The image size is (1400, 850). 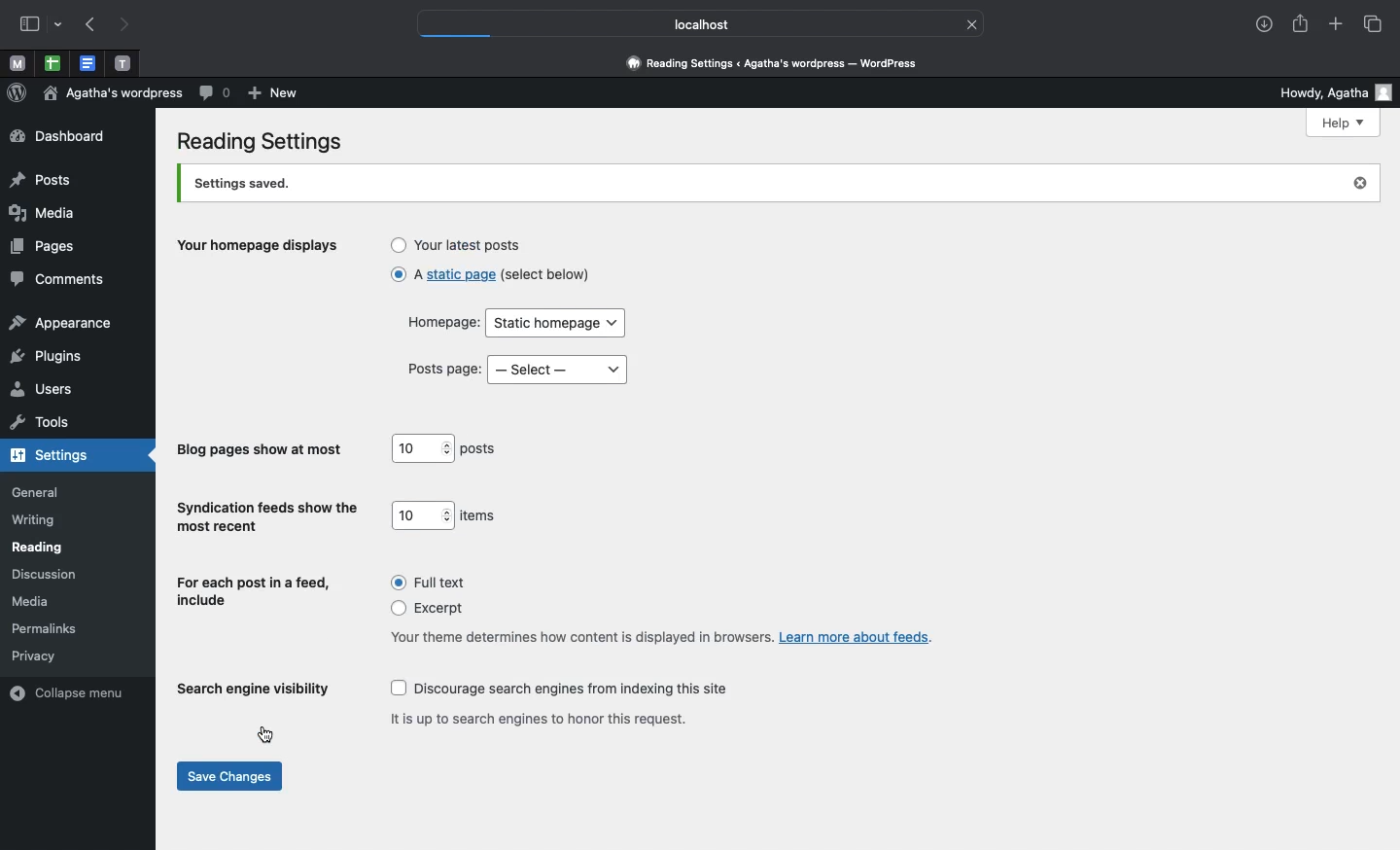 What do you see at coordinates (122, 62) in the screenshot?
I see `Pinned tabs` at bounding box center [122, 62].